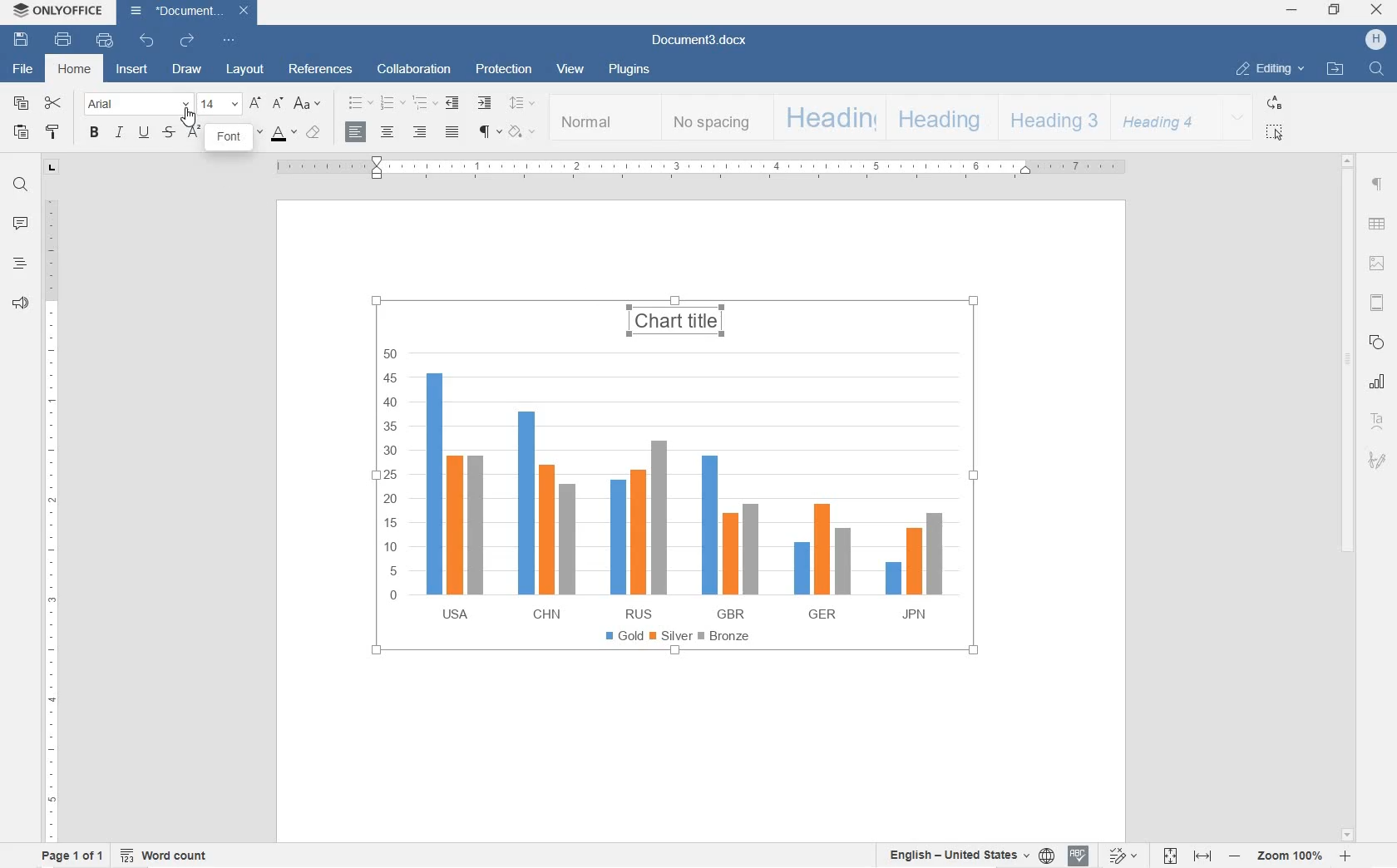  I want to click on Document3.docx, so click(698, 42).